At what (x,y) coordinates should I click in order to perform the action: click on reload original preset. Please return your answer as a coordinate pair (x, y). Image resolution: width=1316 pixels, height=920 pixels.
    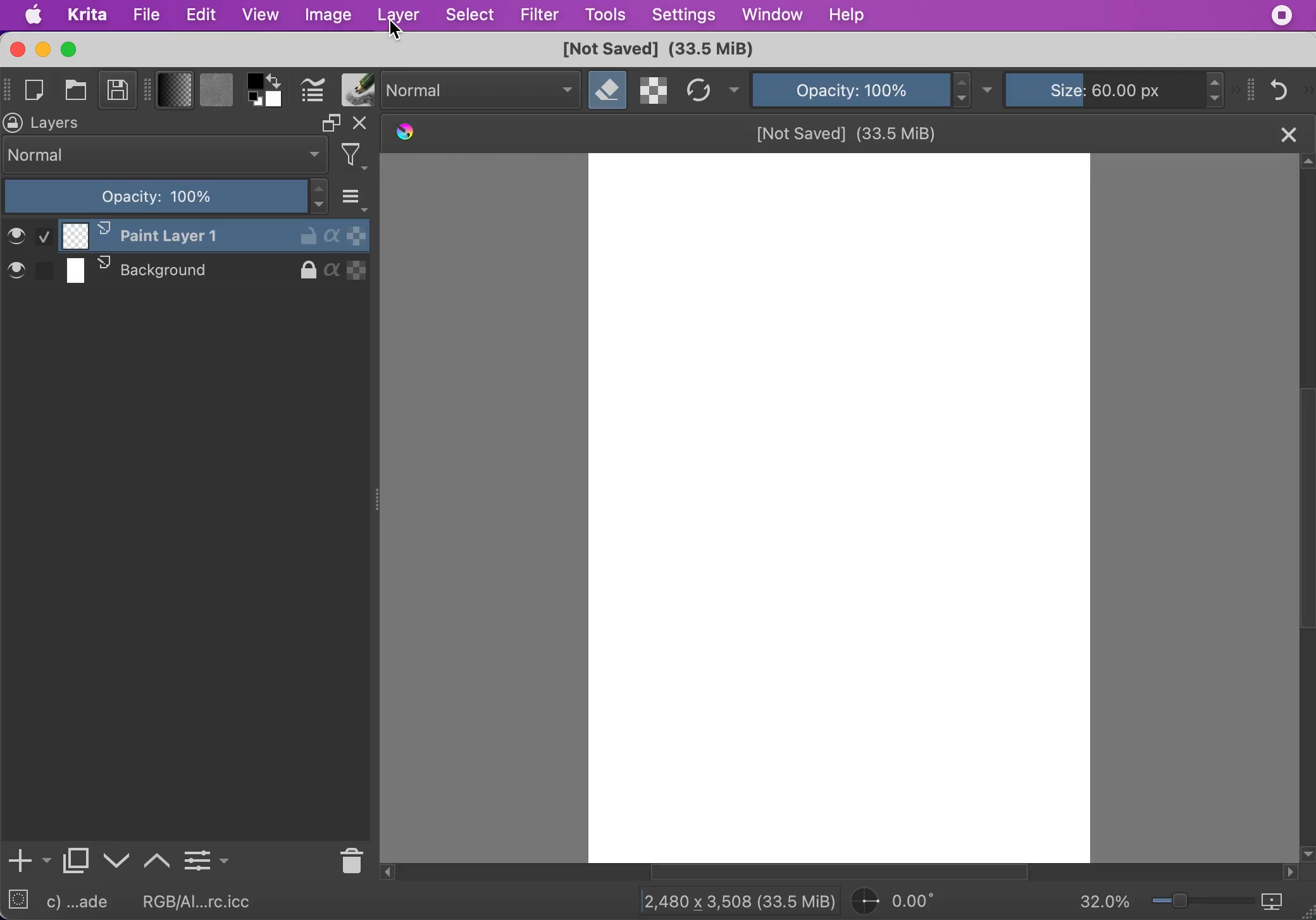
    Looking at the image, I should click on (699, 90).